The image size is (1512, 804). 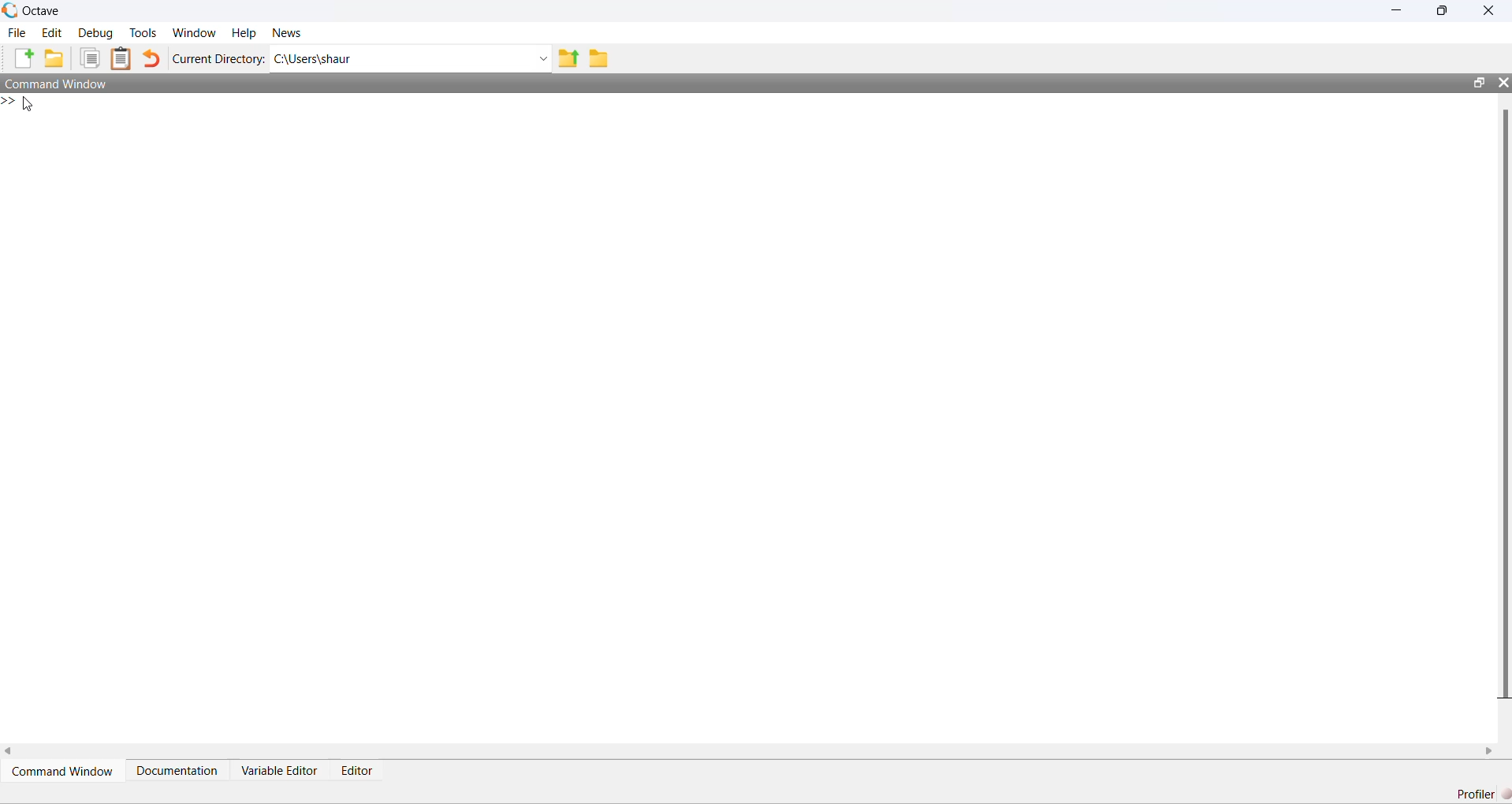 I want to click on undo, so click(x=151, y=58).